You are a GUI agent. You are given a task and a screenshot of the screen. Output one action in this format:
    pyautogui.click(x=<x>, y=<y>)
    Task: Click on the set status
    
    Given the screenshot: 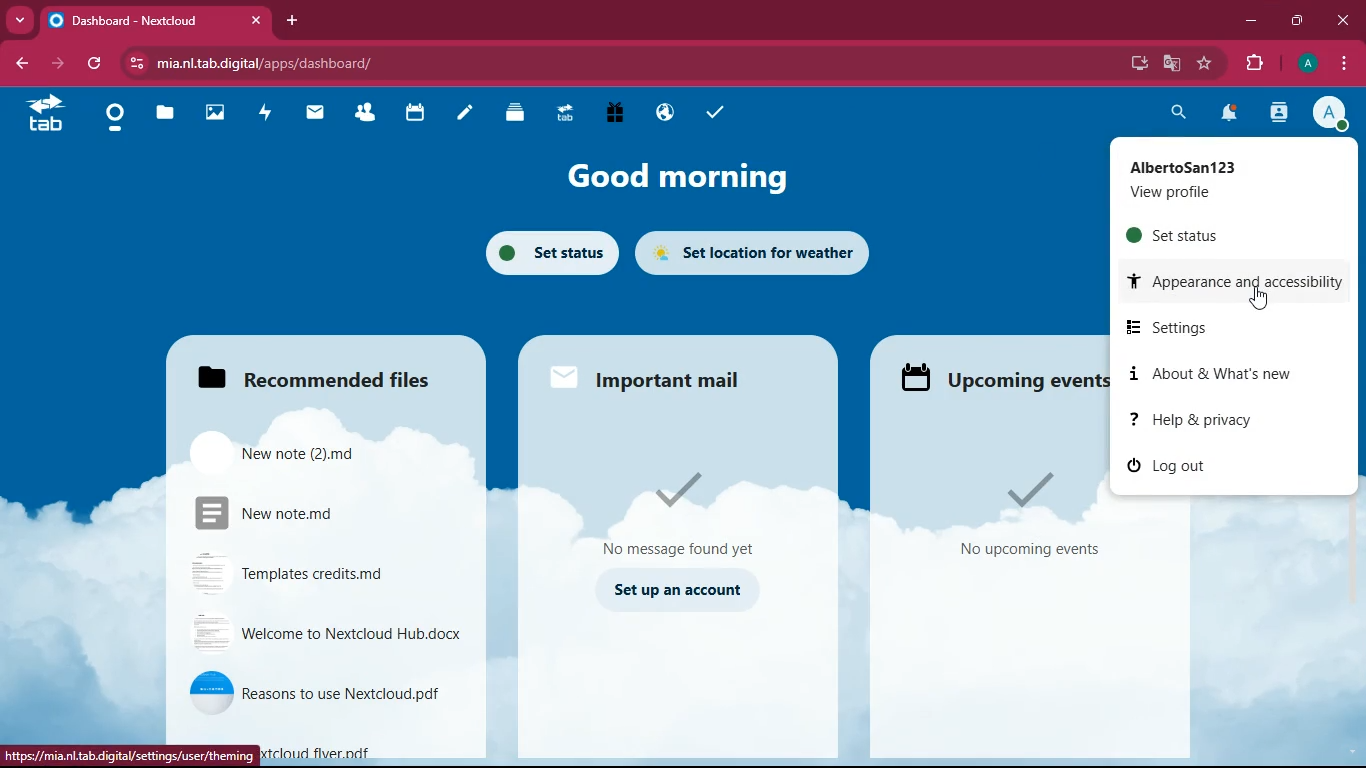 What is the action you would take?
    pyautogui.click(x=1226, y=234)
    